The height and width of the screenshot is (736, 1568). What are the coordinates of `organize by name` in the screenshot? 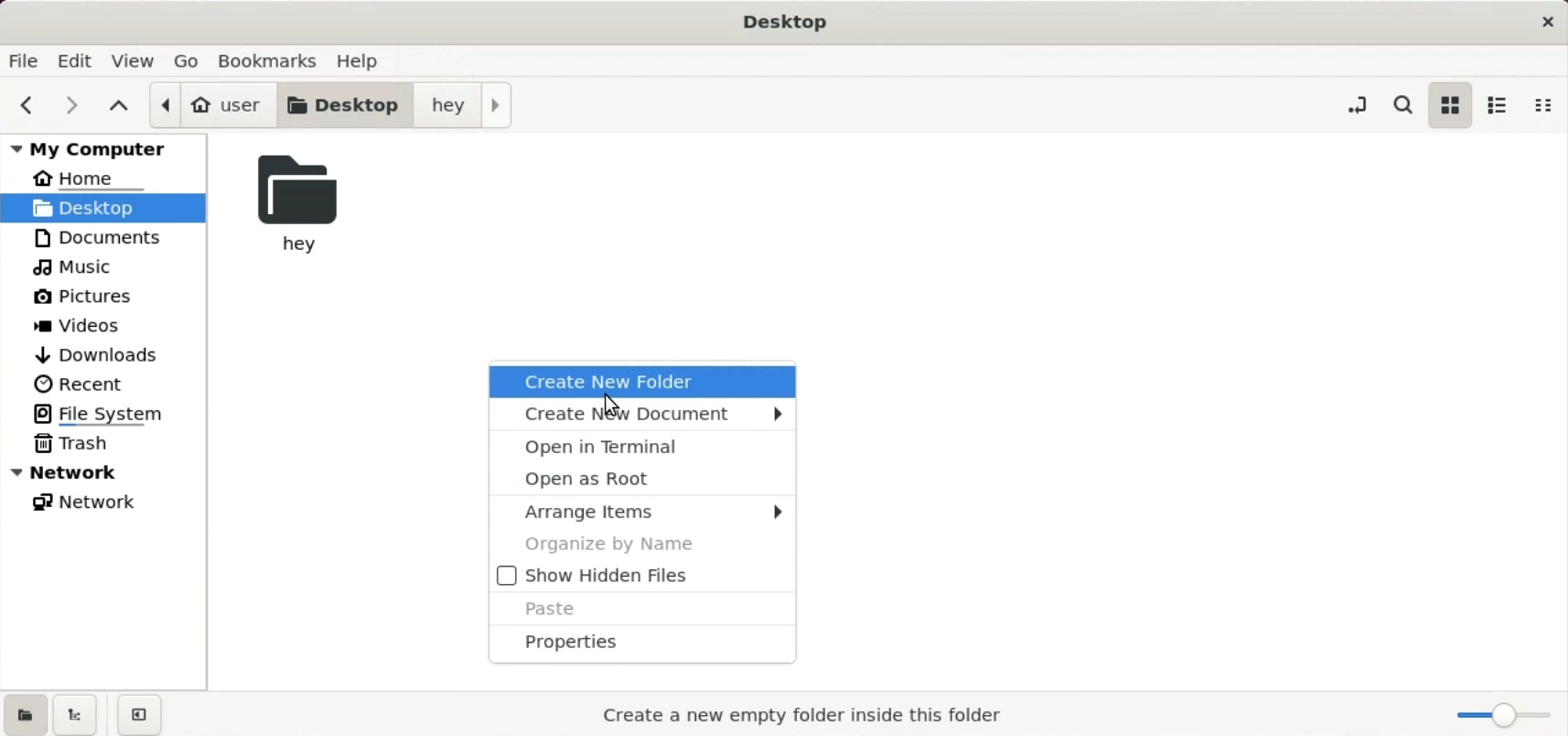 It's located at (640, 545).